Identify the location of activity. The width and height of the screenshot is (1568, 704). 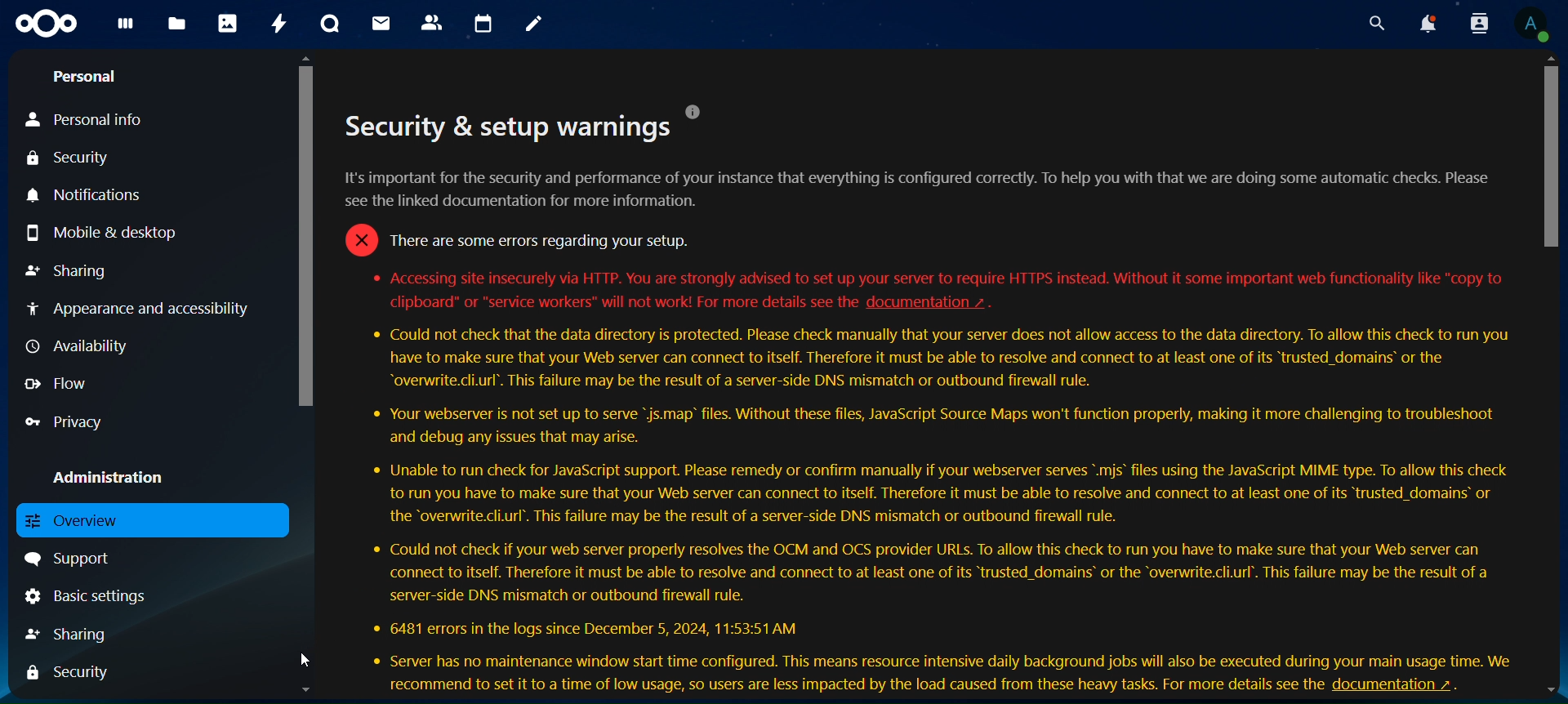
(280, 23).